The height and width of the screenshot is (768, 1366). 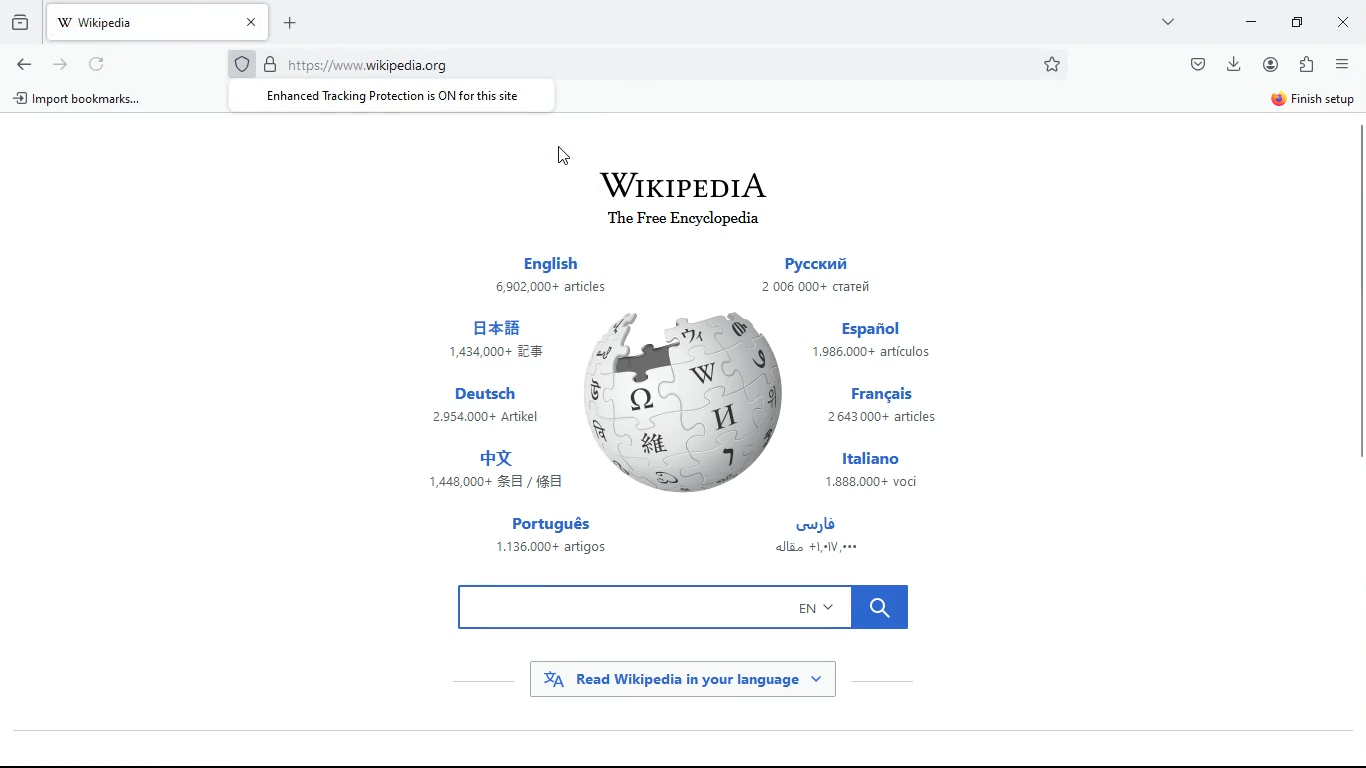 What do you see at coordinates (367, 67) in the screenshot?
I see `\ttps:/ www. wikipedia.org` at bounding box center [367, 67].